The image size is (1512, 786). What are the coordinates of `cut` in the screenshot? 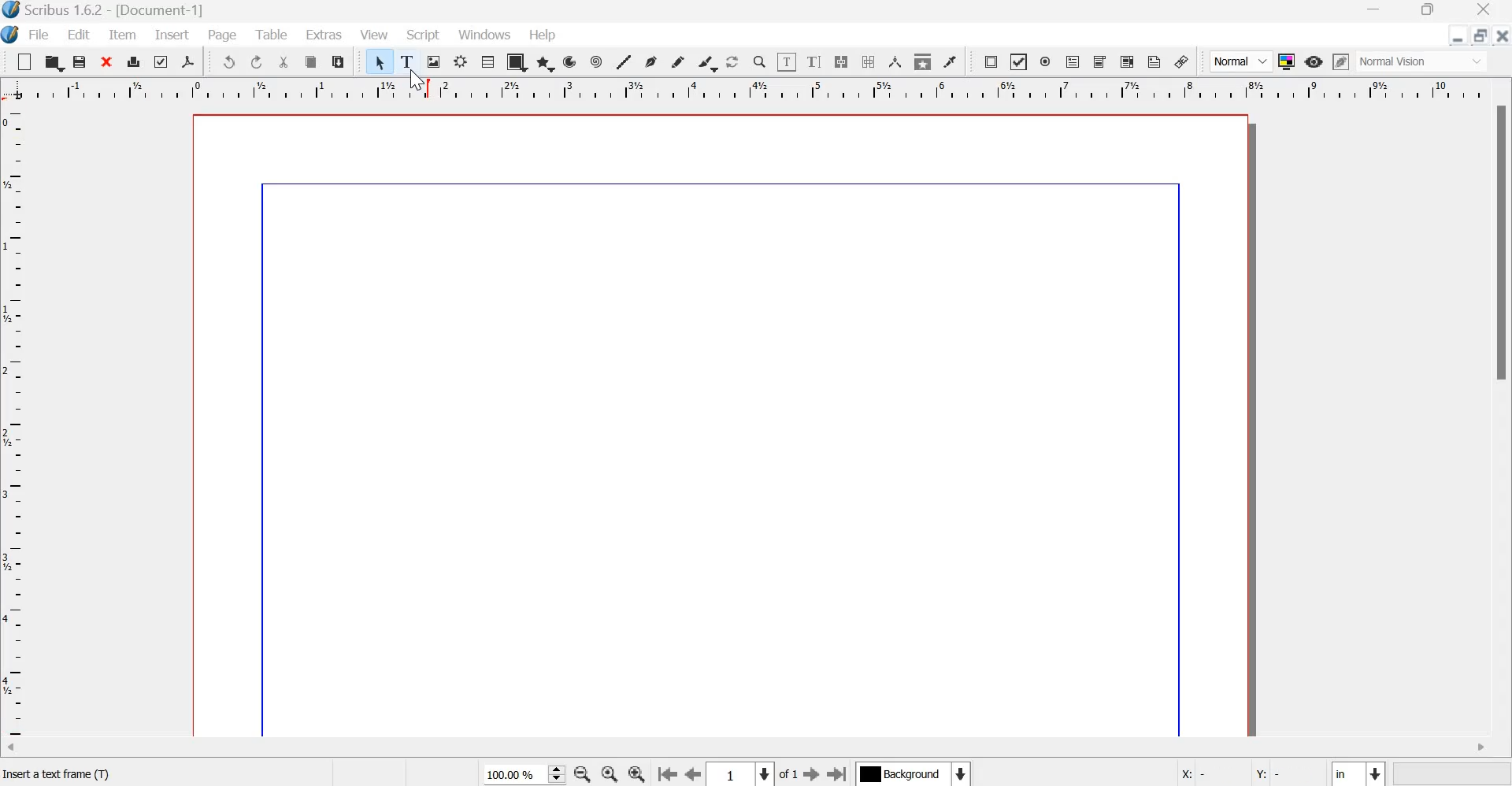 It's located at (285, 62).